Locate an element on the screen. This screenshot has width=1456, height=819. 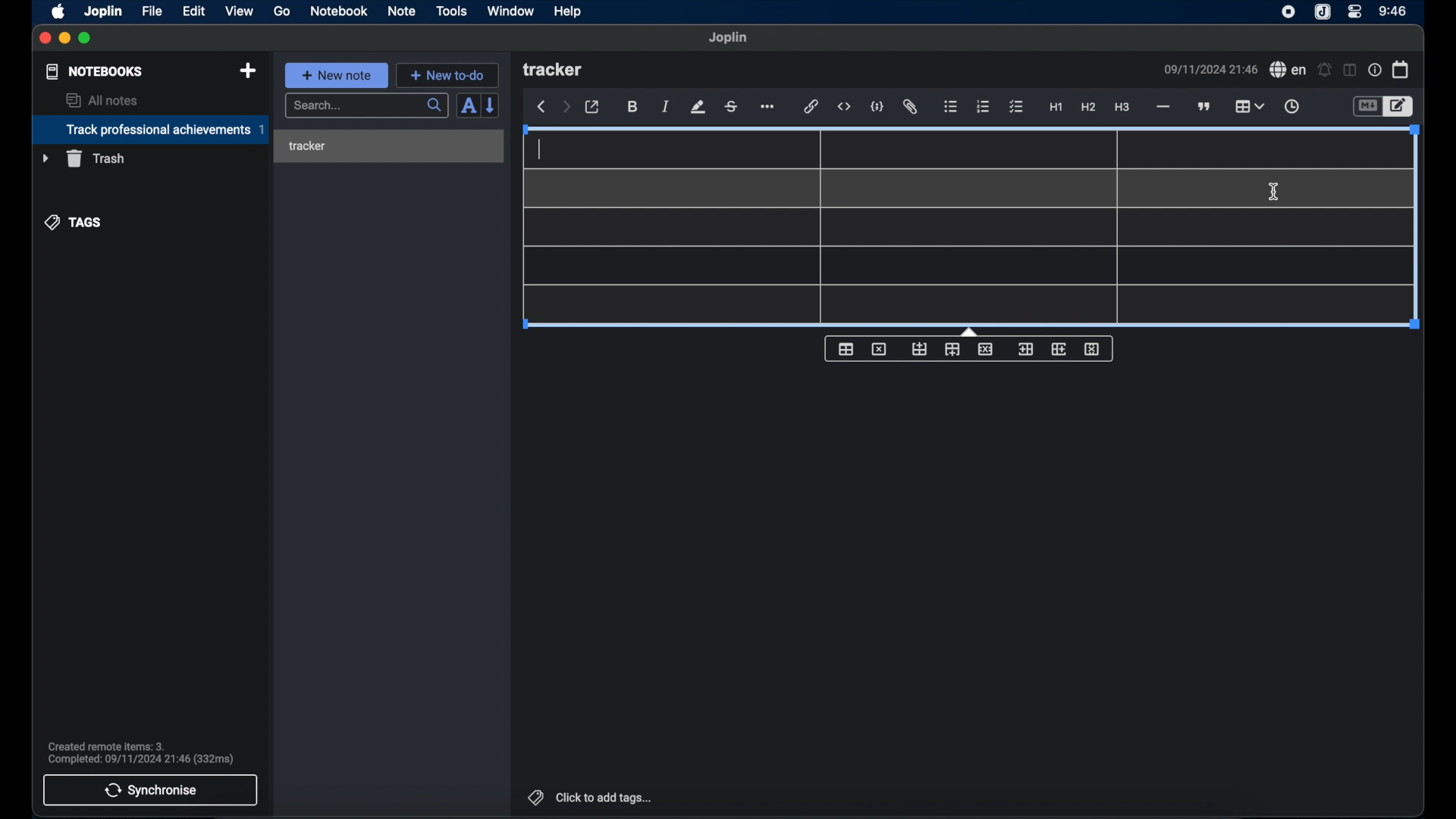
delete row is located at coordinates (985, 349).